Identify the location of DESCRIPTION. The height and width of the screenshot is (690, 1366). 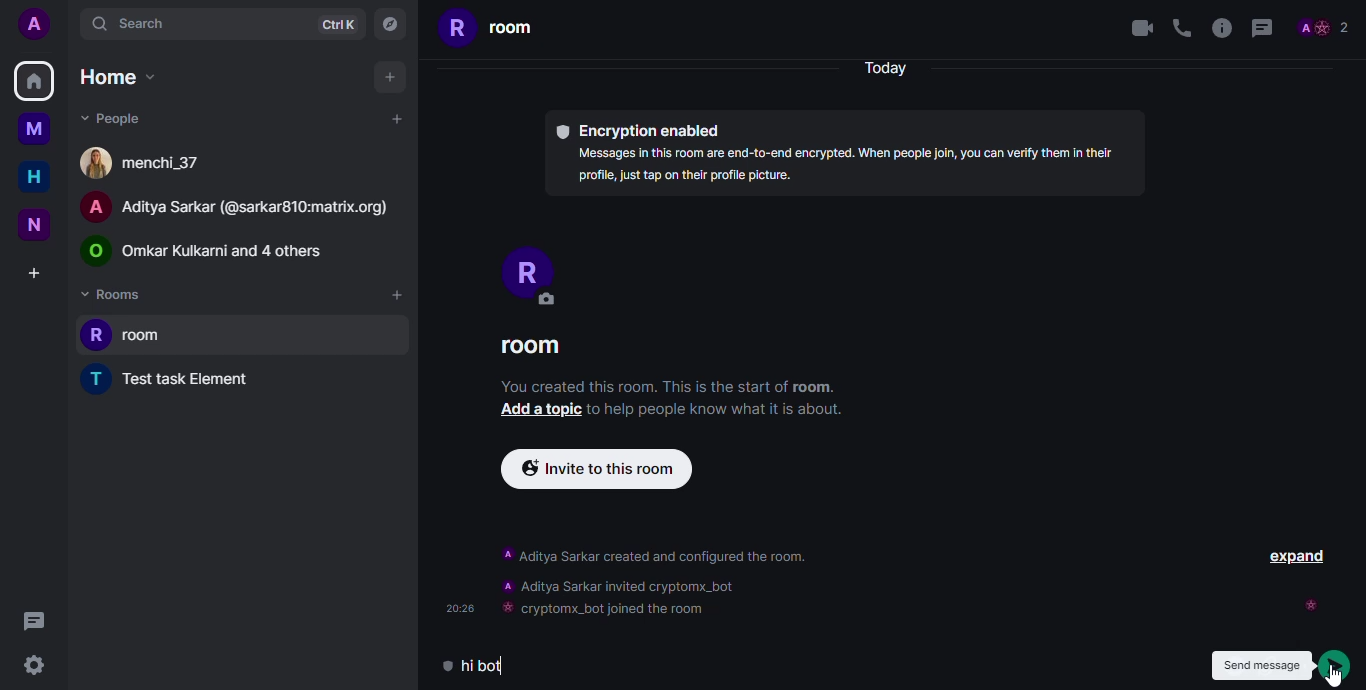
(676, 557).